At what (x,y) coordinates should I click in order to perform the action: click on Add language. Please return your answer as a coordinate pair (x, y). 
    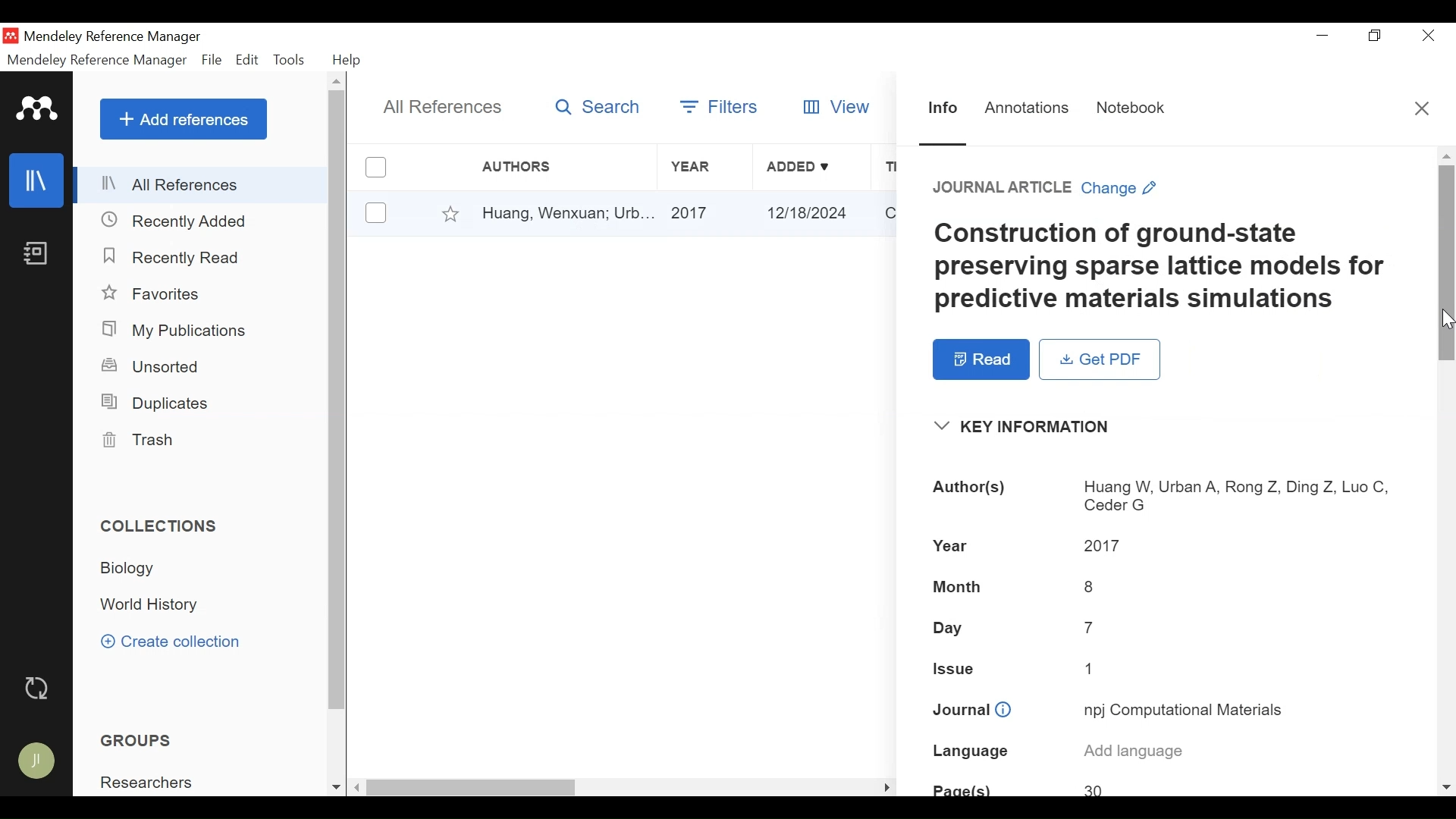
    Looking at the image, I should click on (1134, 751).